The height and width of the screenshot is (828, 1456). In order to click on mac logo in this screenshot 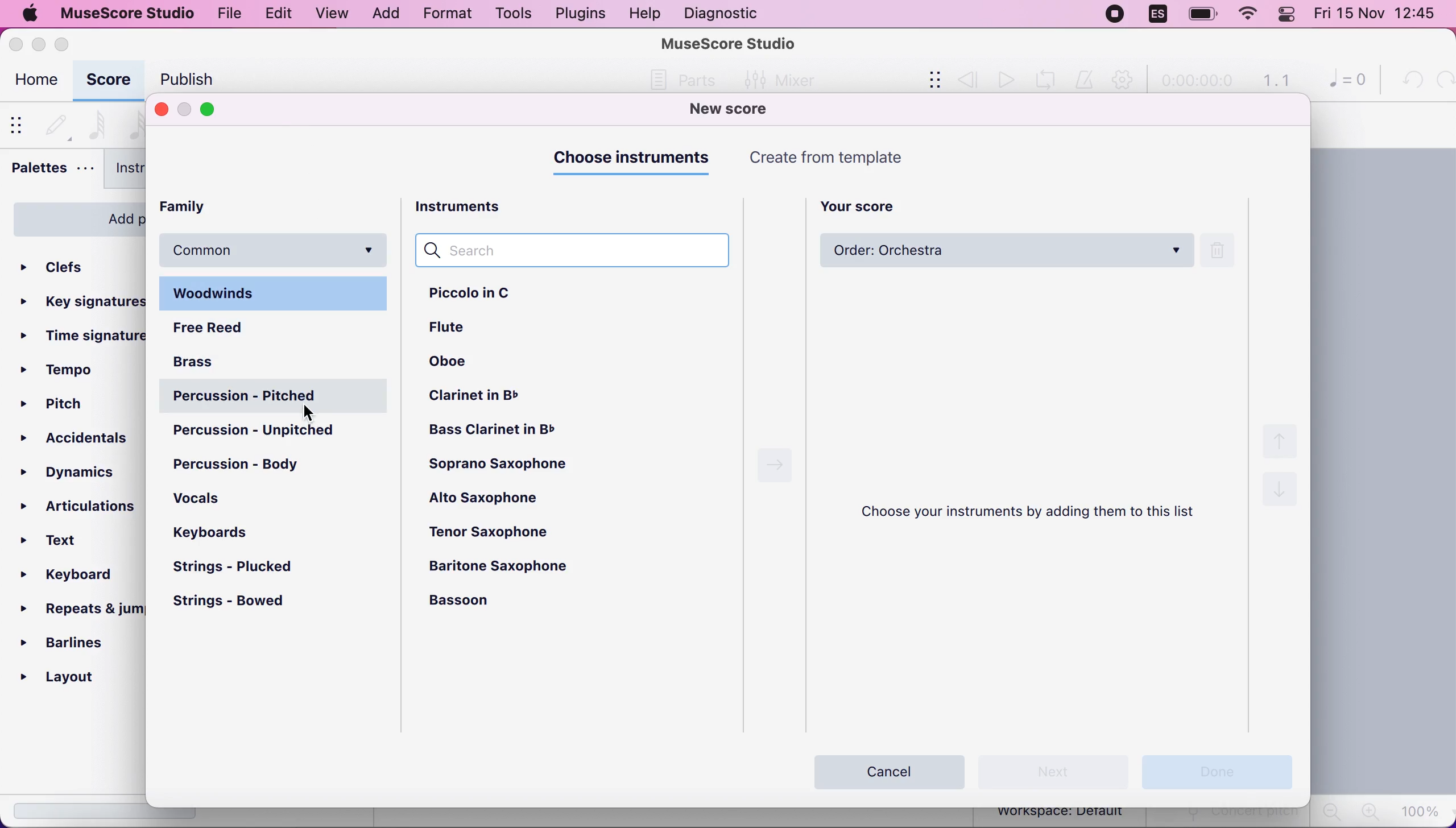, I will do `click(30, 15)`.